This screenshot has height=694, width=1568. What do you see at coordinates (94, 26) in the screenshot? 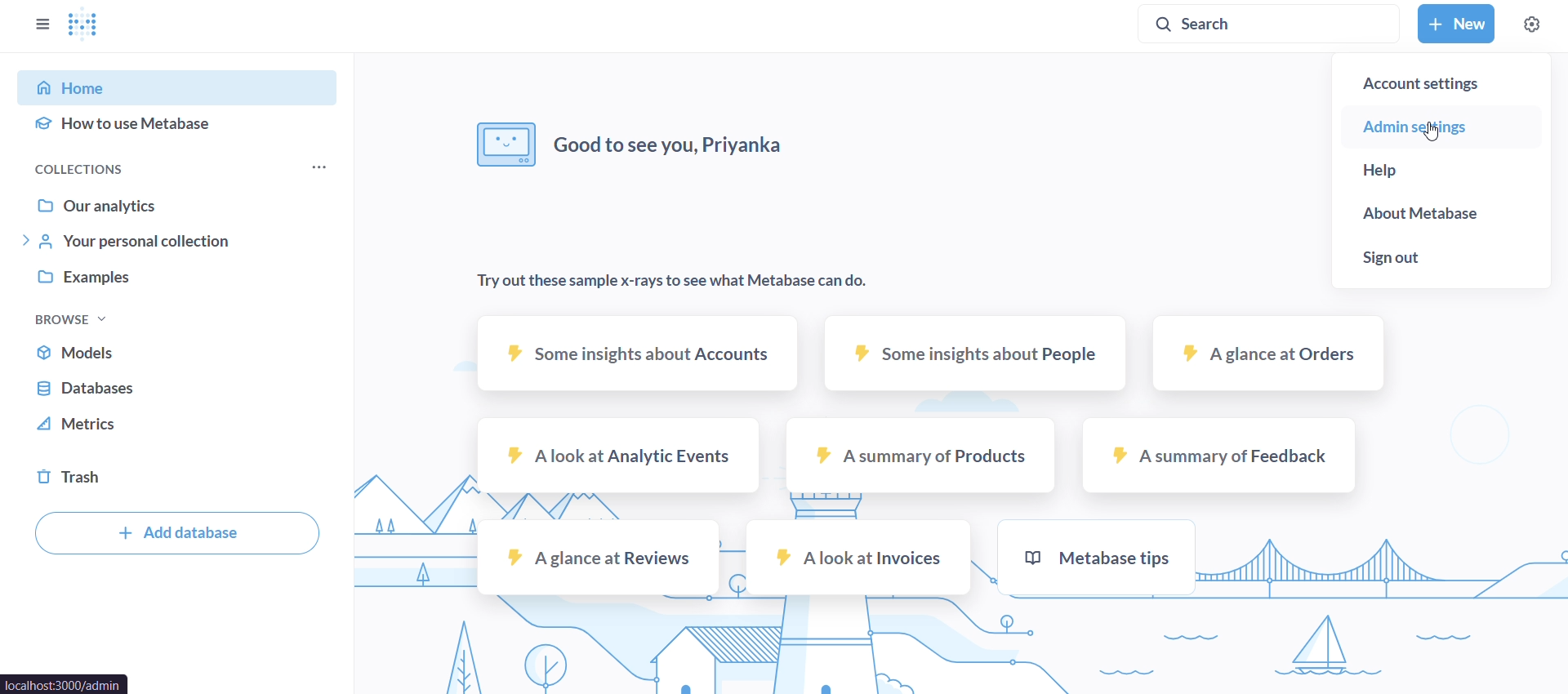
I see `logo` at bounding box center [94, 26].